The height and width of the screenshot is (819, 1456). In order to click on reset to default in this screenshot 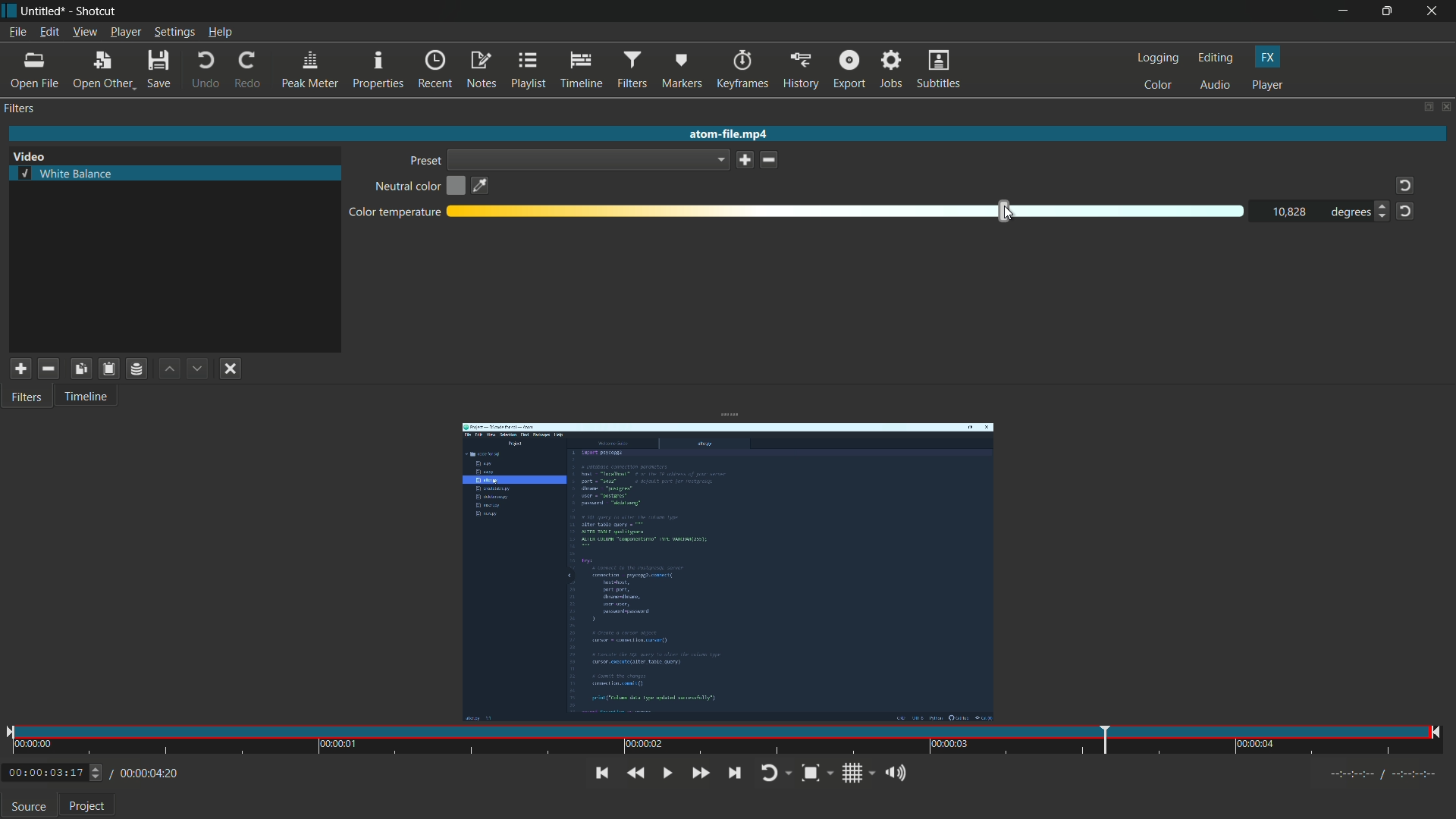, I will do `click(1405, 212)`.